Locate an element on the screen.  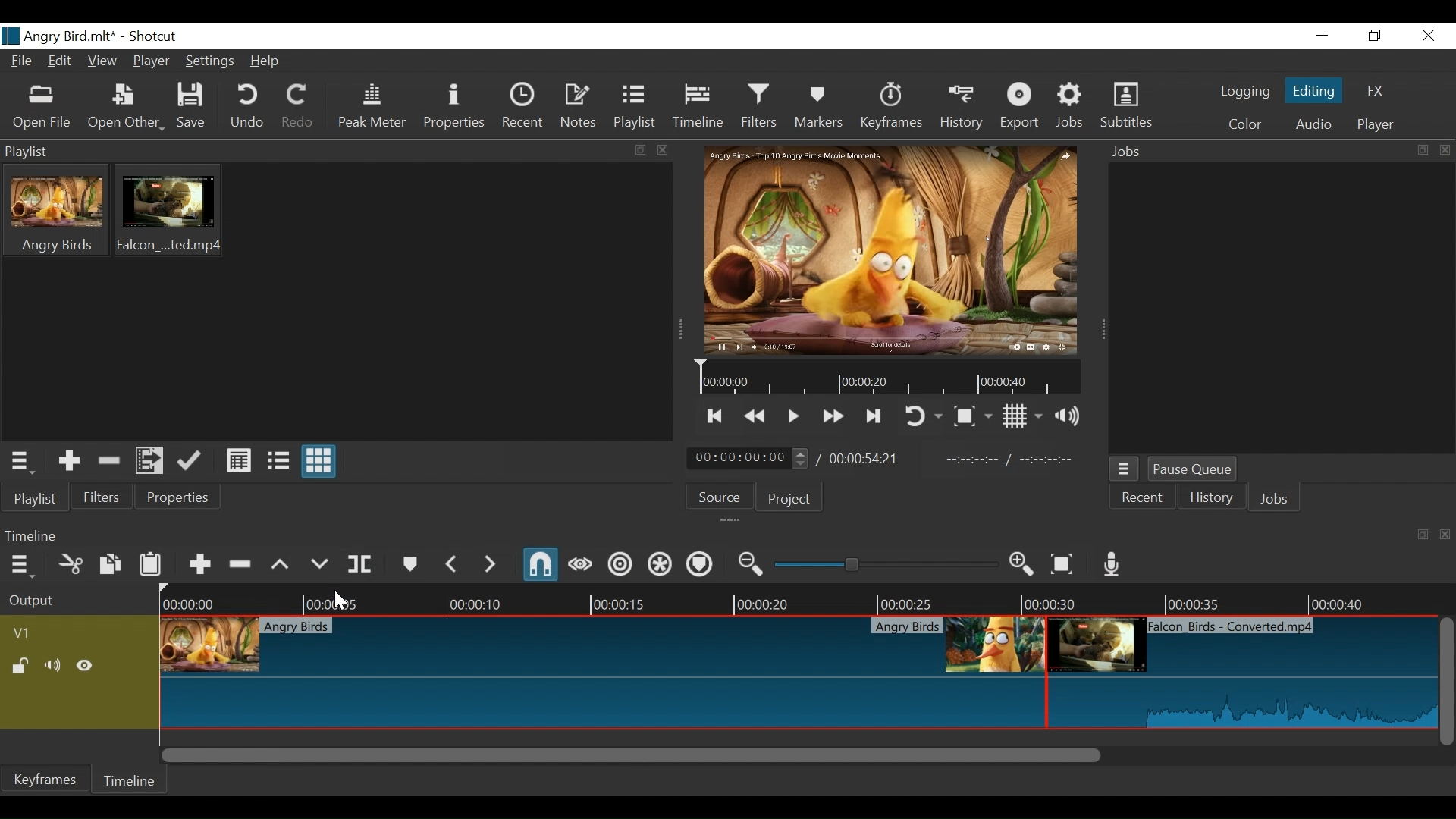
Recent is located at coordinates (524, 106).